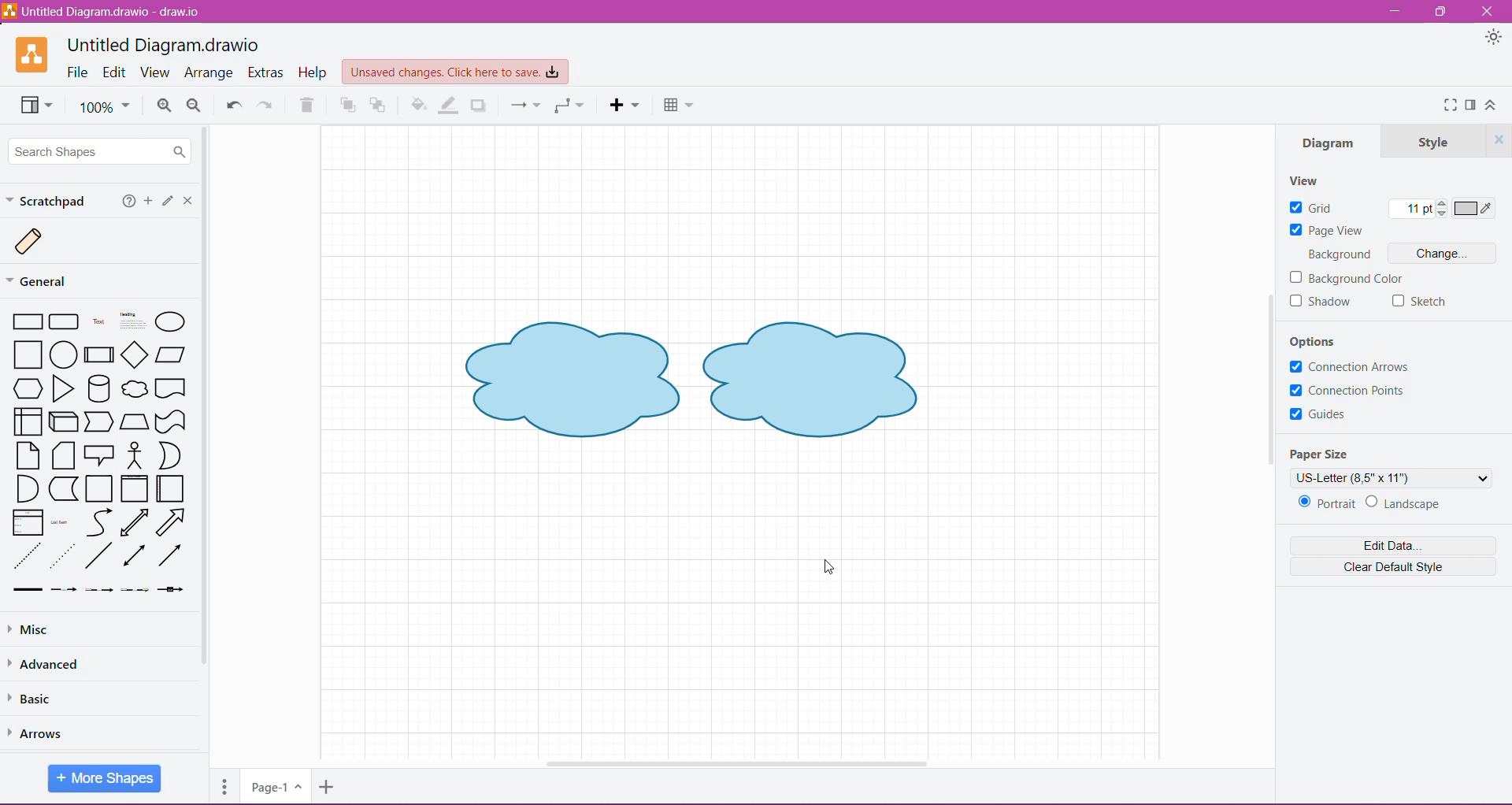 Image resolution: width=1512 pixels, height=805 pixels. What do you see at coordinates (1321, 142) in the screenshot?
I see `Diagram` at bounding box center [1321, 142].